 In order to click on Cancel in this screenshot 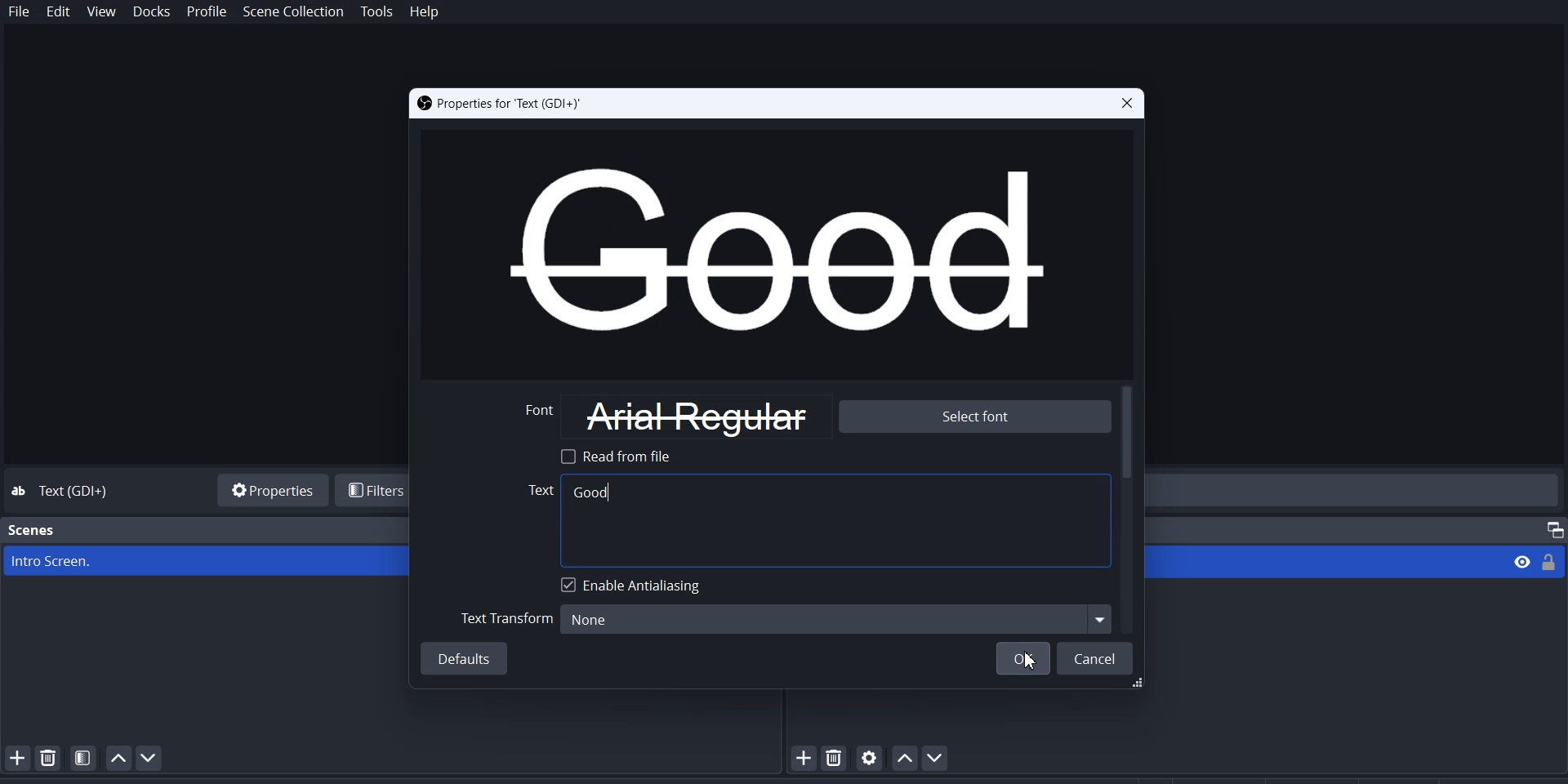, I will do `click(1097, 660)`.